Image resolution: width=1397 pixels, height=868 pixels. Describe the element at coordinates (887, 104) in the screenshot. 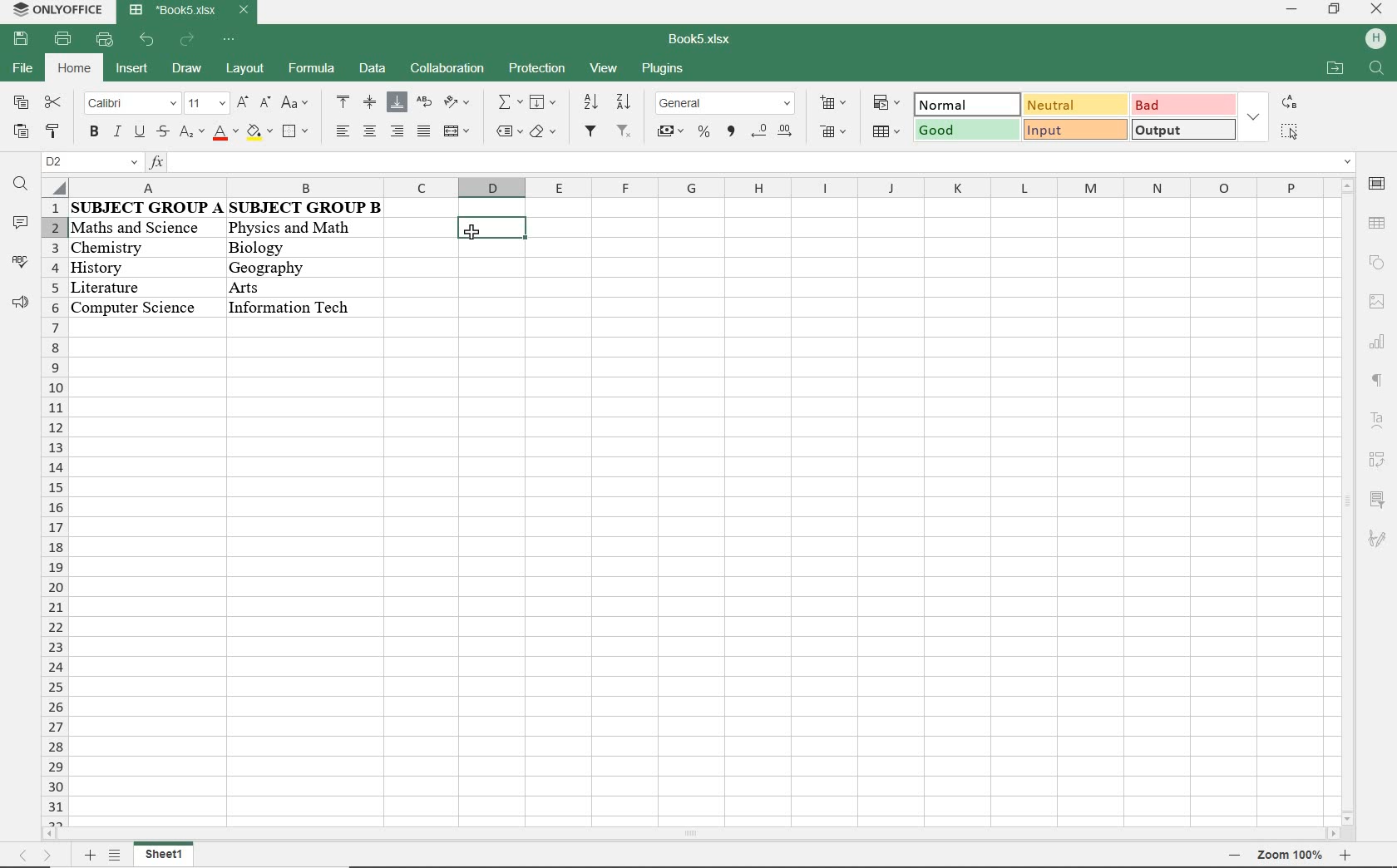

I see `conditional formatting` at that location.